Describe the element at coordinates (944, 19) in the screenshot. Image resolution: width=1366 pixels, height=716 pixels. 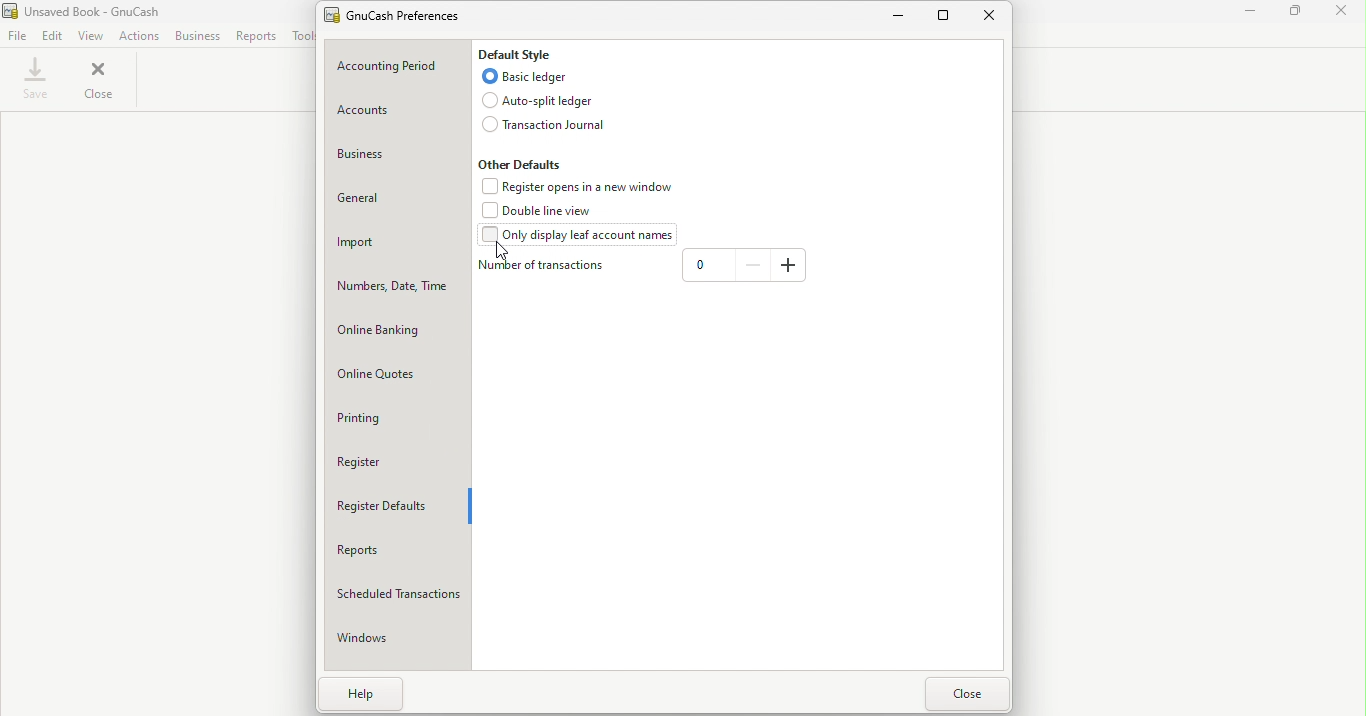
I see `Maximize` at that location.